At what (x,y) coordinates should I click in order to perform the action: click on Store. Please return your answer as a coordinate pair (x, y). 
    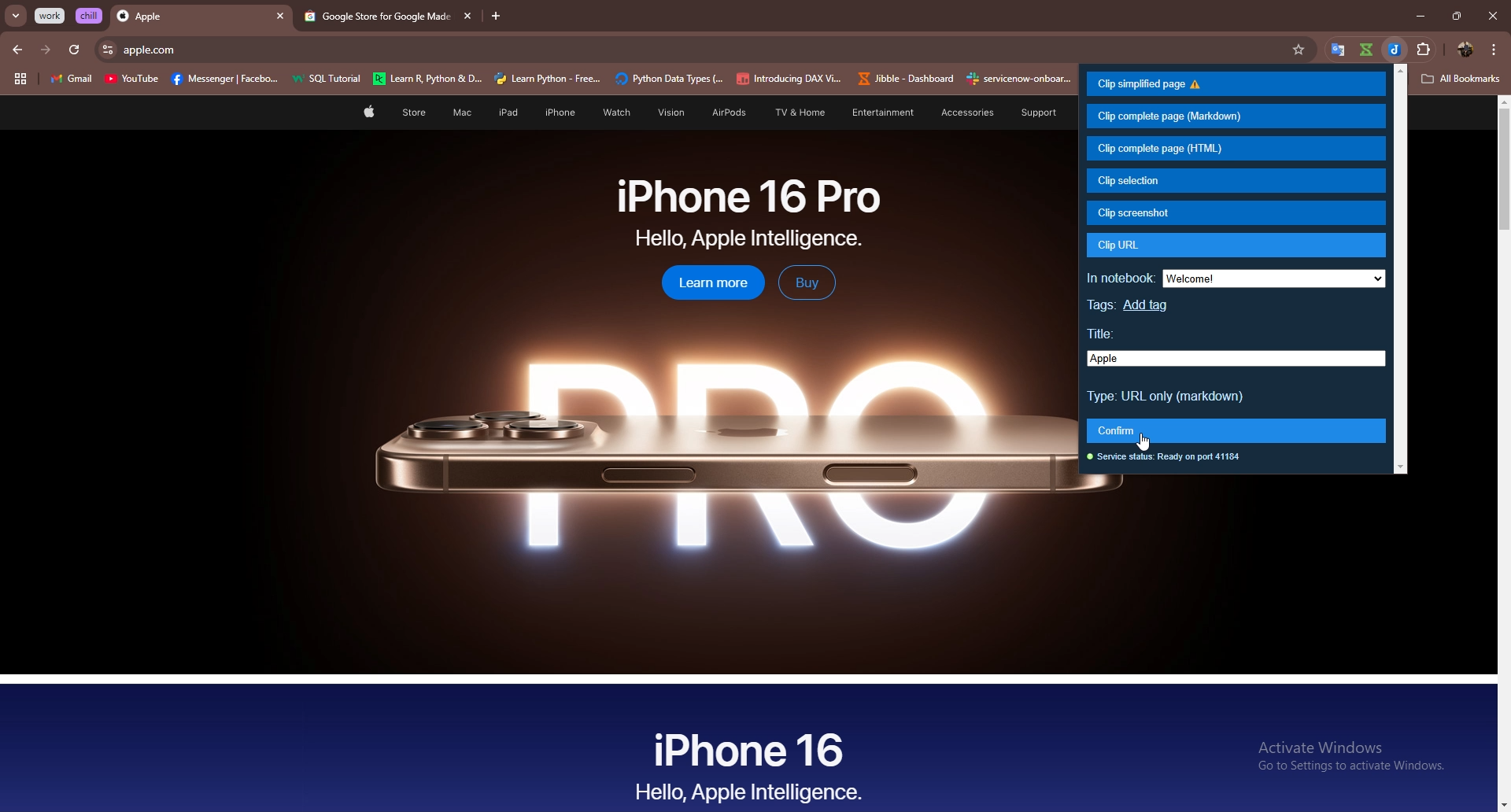
    Looking at the image, I should click on (414, 114).